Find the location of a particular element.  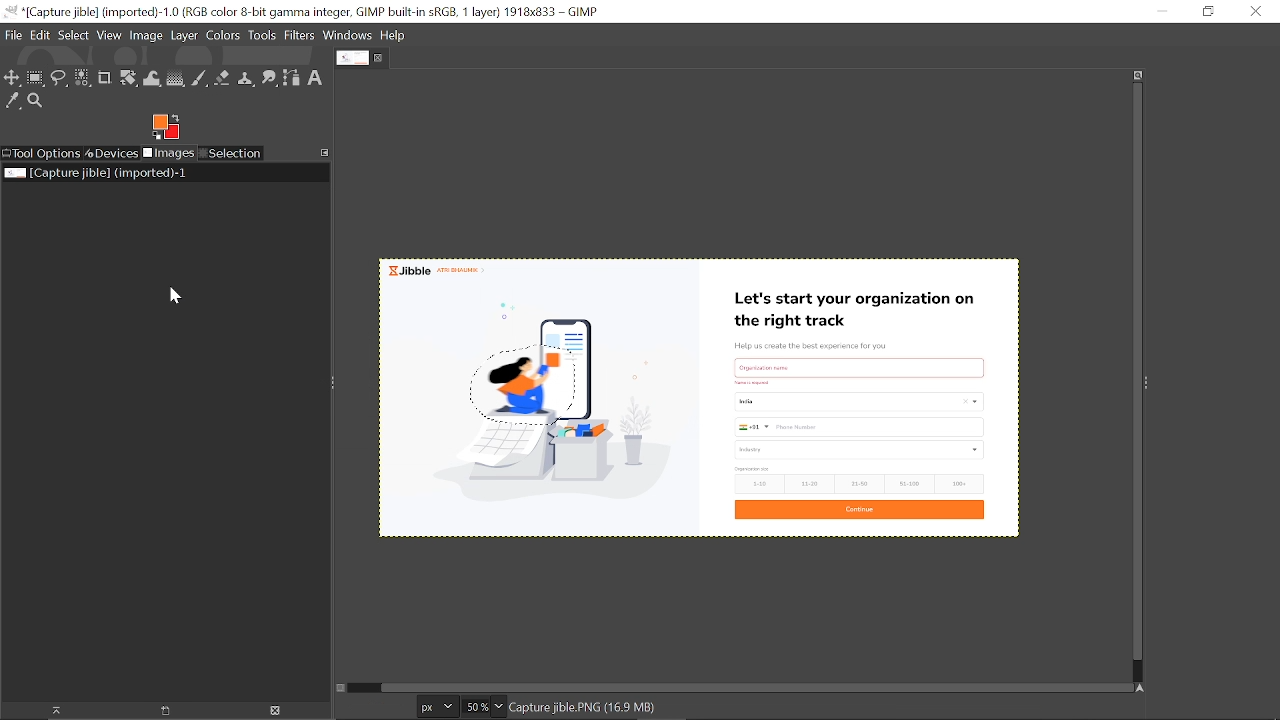

Minimize is located at coordinates (1159, 11).